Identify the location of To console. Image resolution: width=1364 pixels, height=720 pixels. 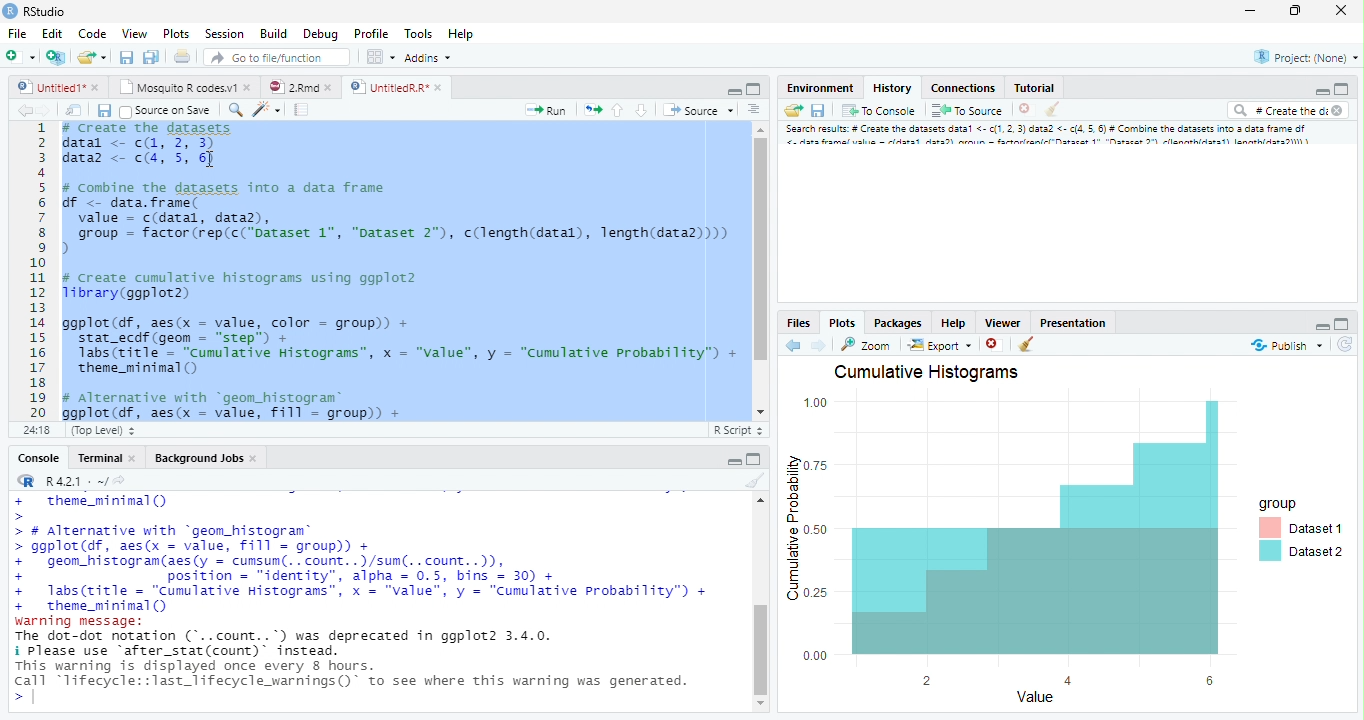
(881, 111).